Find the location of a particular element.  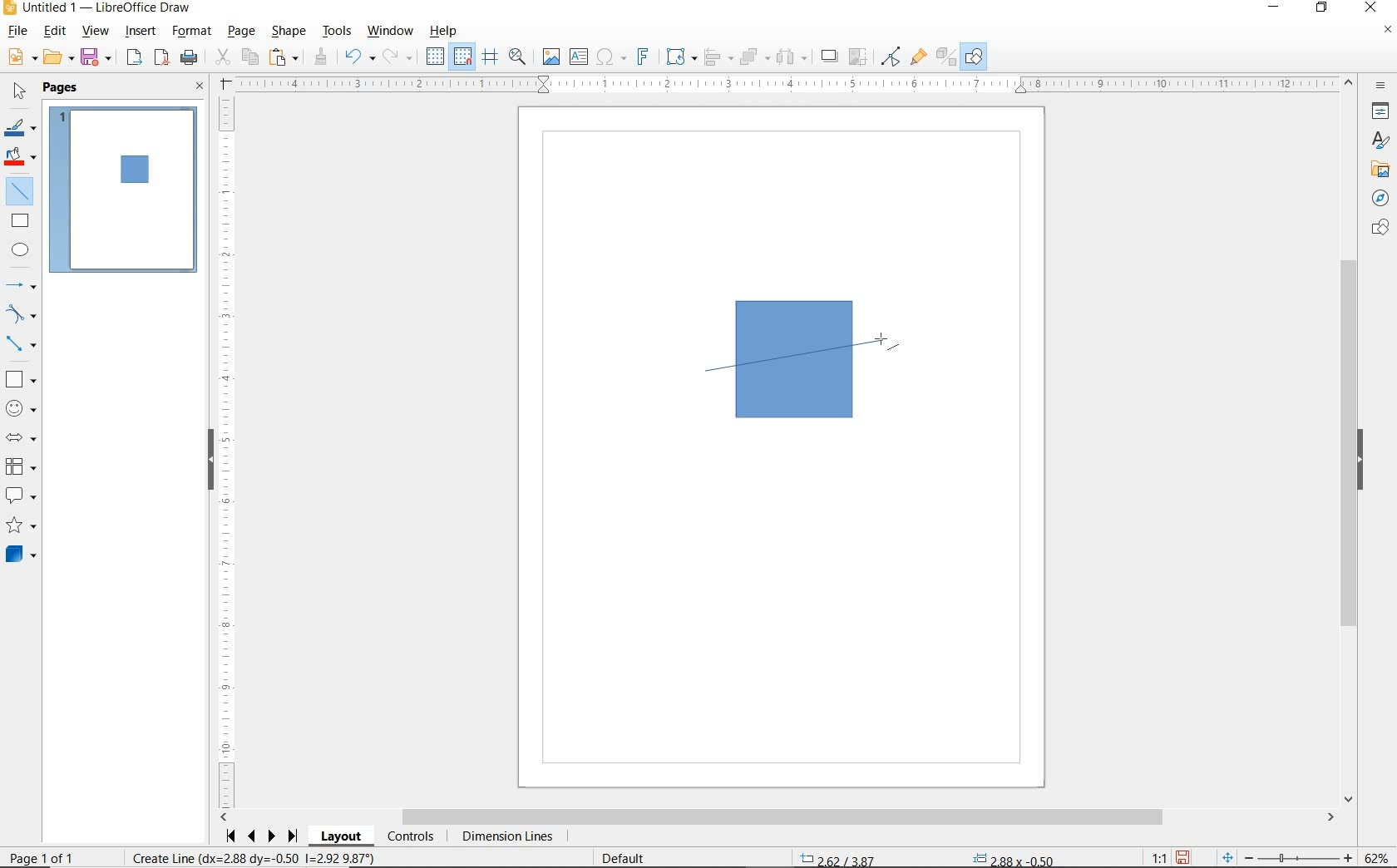

PASTE is located at coordinates (284, 57).